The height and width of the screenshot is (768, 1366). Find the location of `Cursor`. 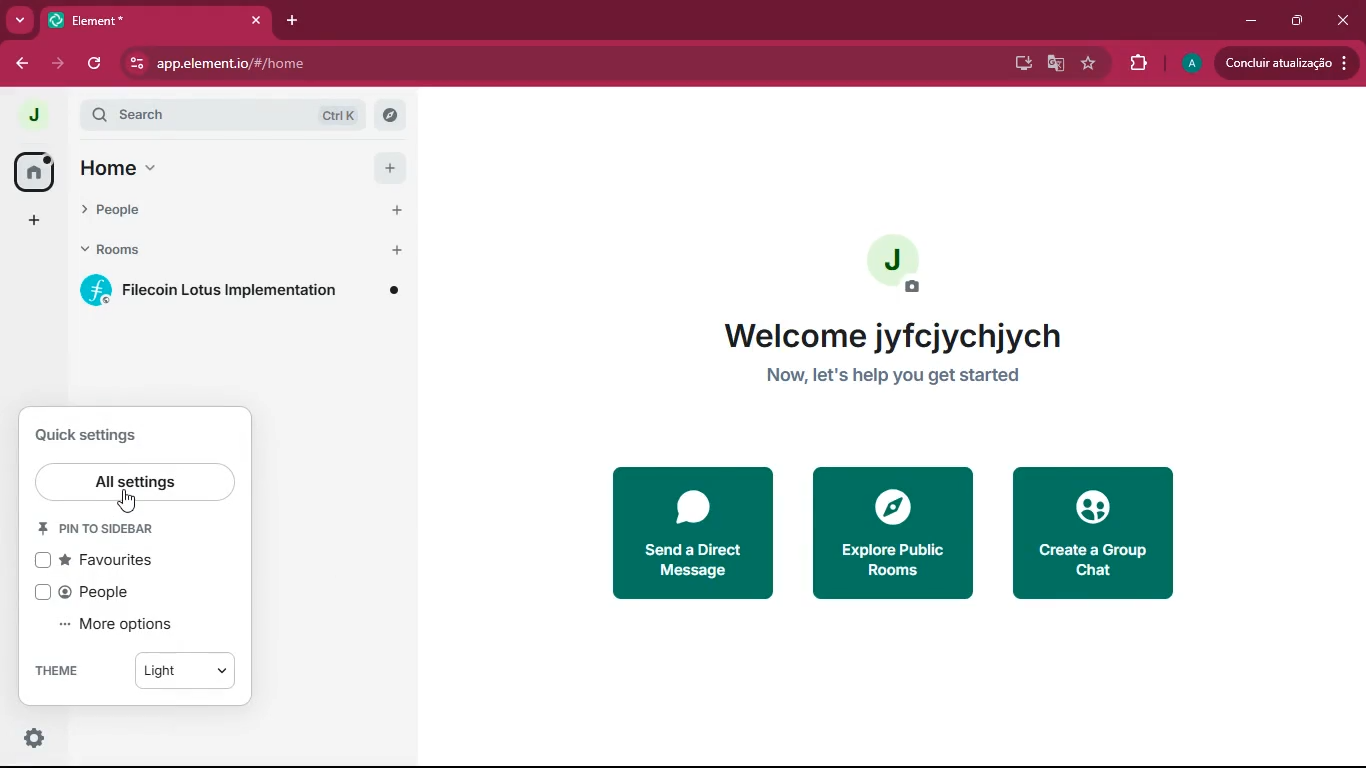

Cursor is located at coordinates (129, 500).